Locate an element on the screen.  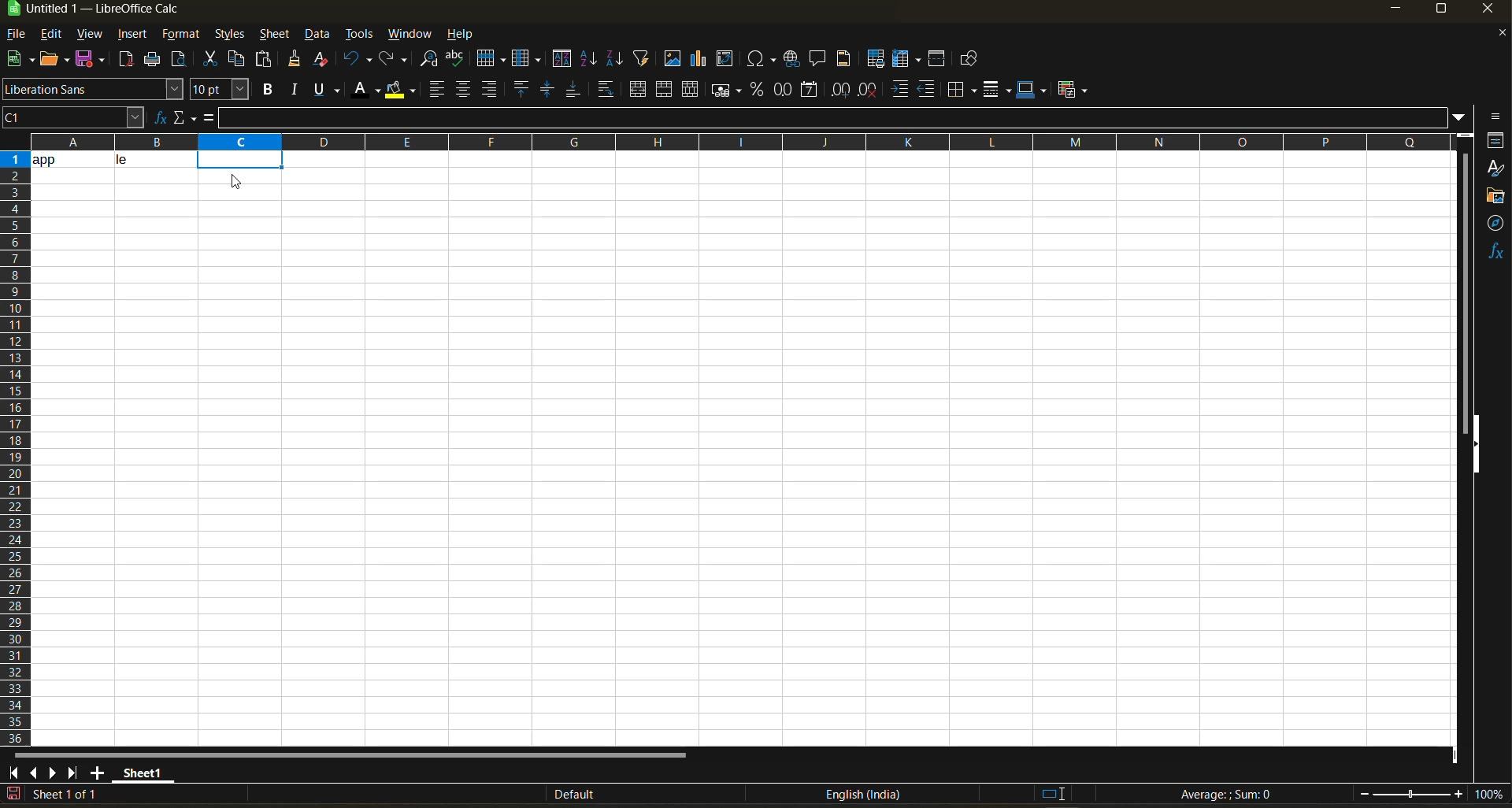
format as percent is located at coordinates (759, 90).